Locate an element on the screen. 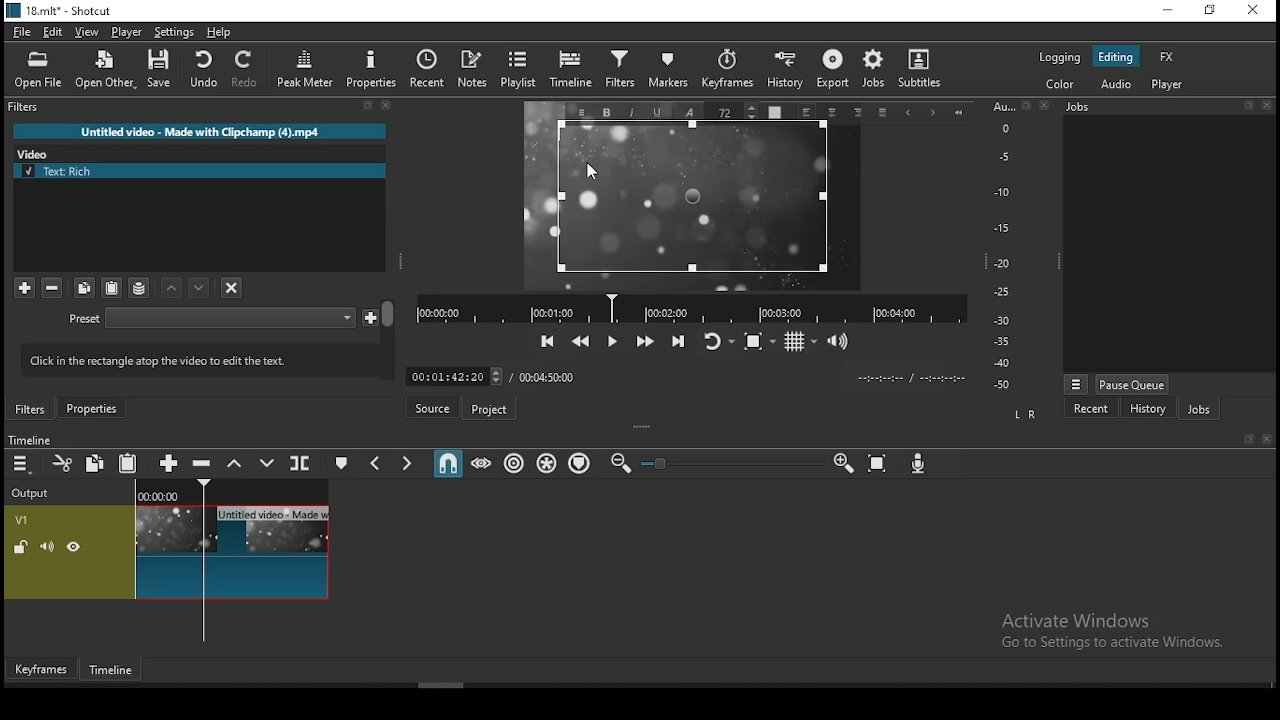 This screenshot has height=720, width=1280. scrub while dragging is located at coordinates (482, 462).